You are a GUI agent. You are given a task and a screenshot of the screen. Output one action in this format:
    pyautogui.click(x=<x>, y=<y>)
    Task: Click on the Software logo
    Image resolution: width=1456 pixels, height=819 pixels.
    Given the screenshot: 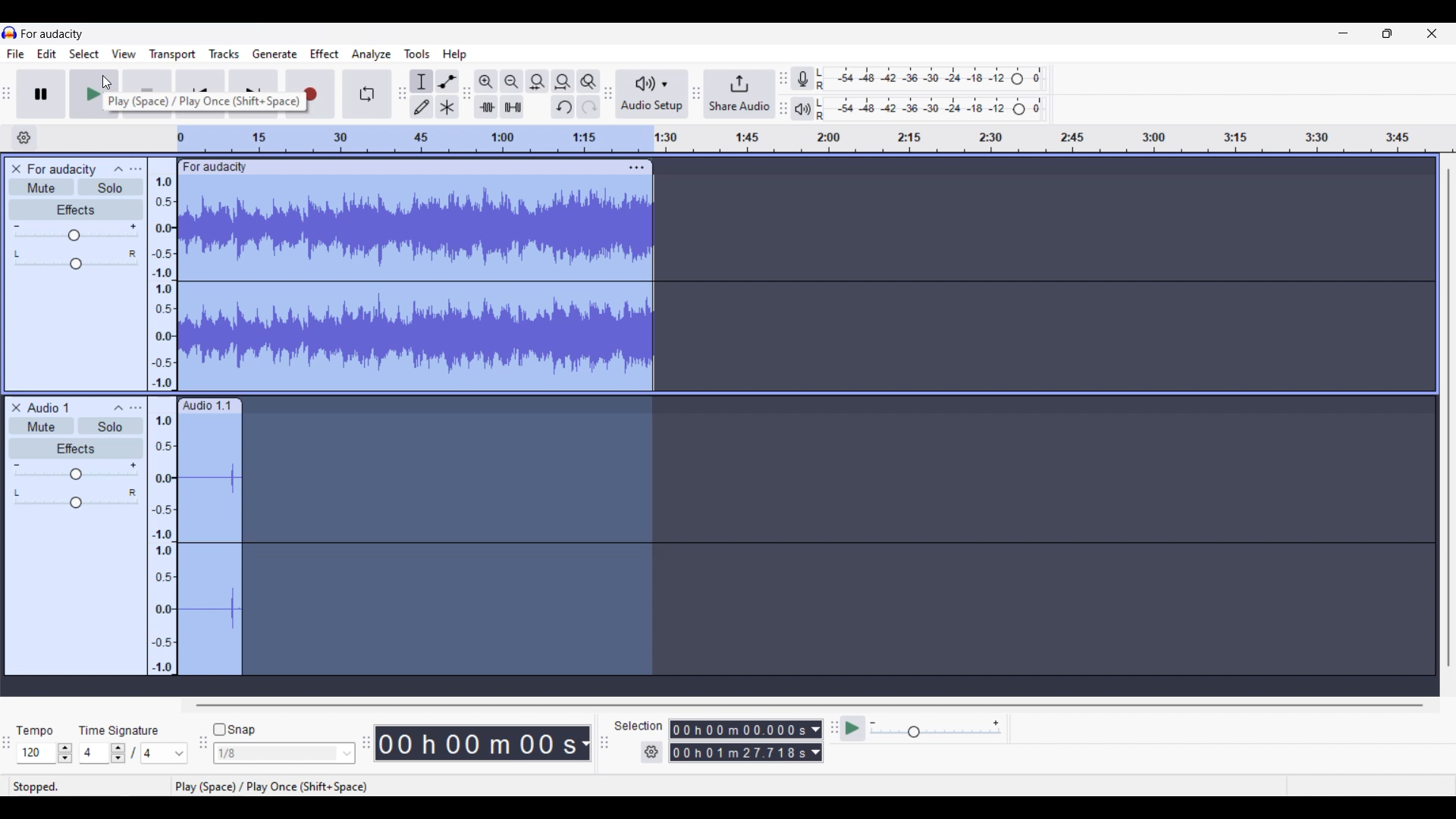 What is the action you would take?
    pyautogui.click(x=10, y=33)
    